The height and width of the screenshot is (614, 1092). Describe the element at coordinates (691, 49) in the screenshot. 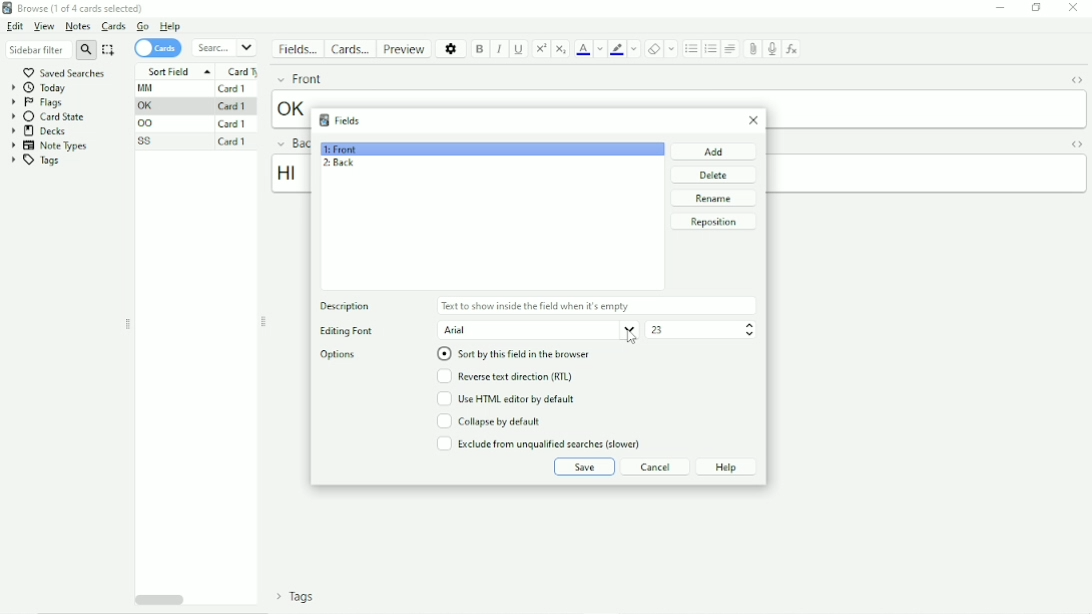

I see `Unordered list` at that location.